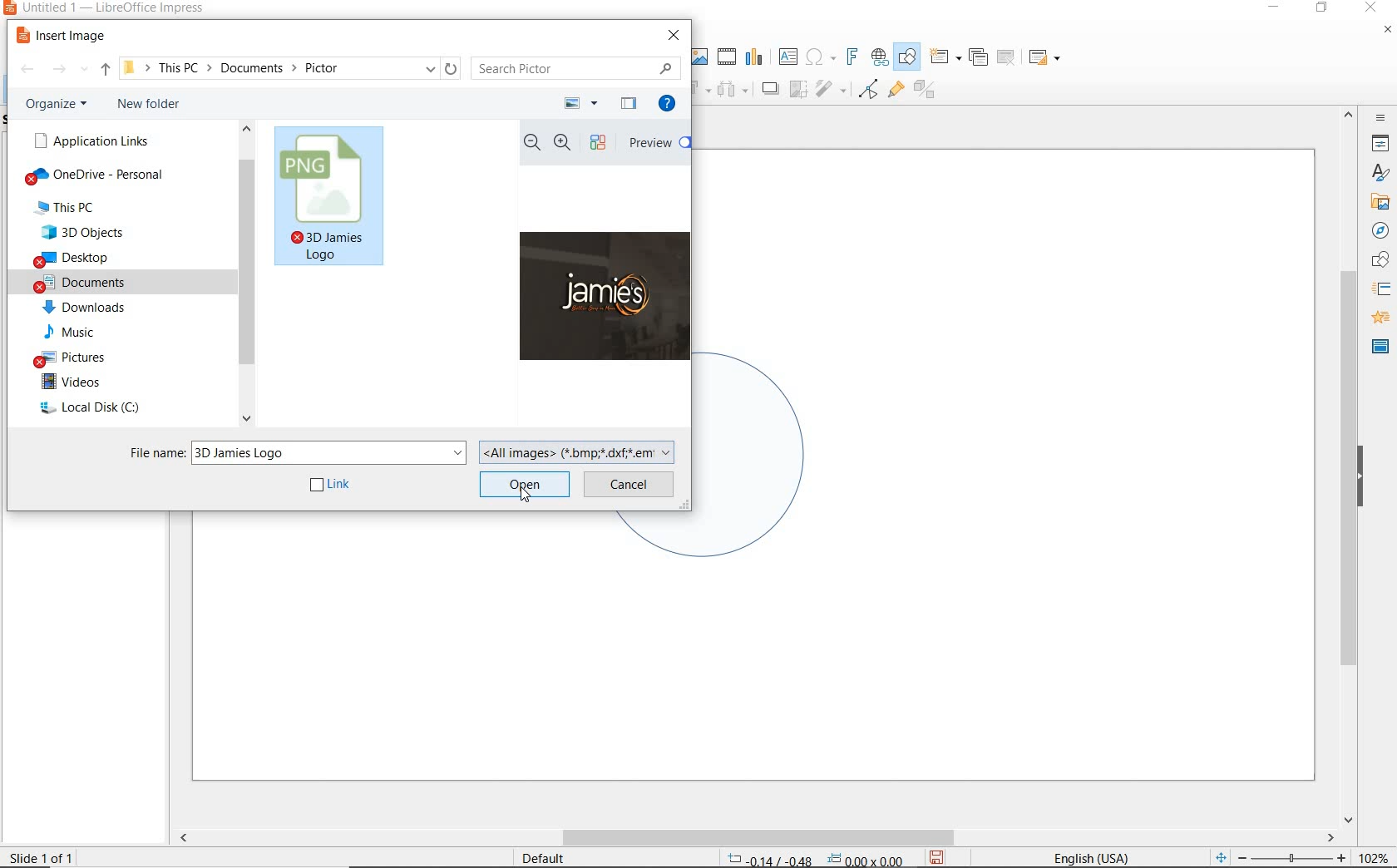 This screenshot has height=868, width=1397. I want to click on IMAGE FILE, so click(331, 199).